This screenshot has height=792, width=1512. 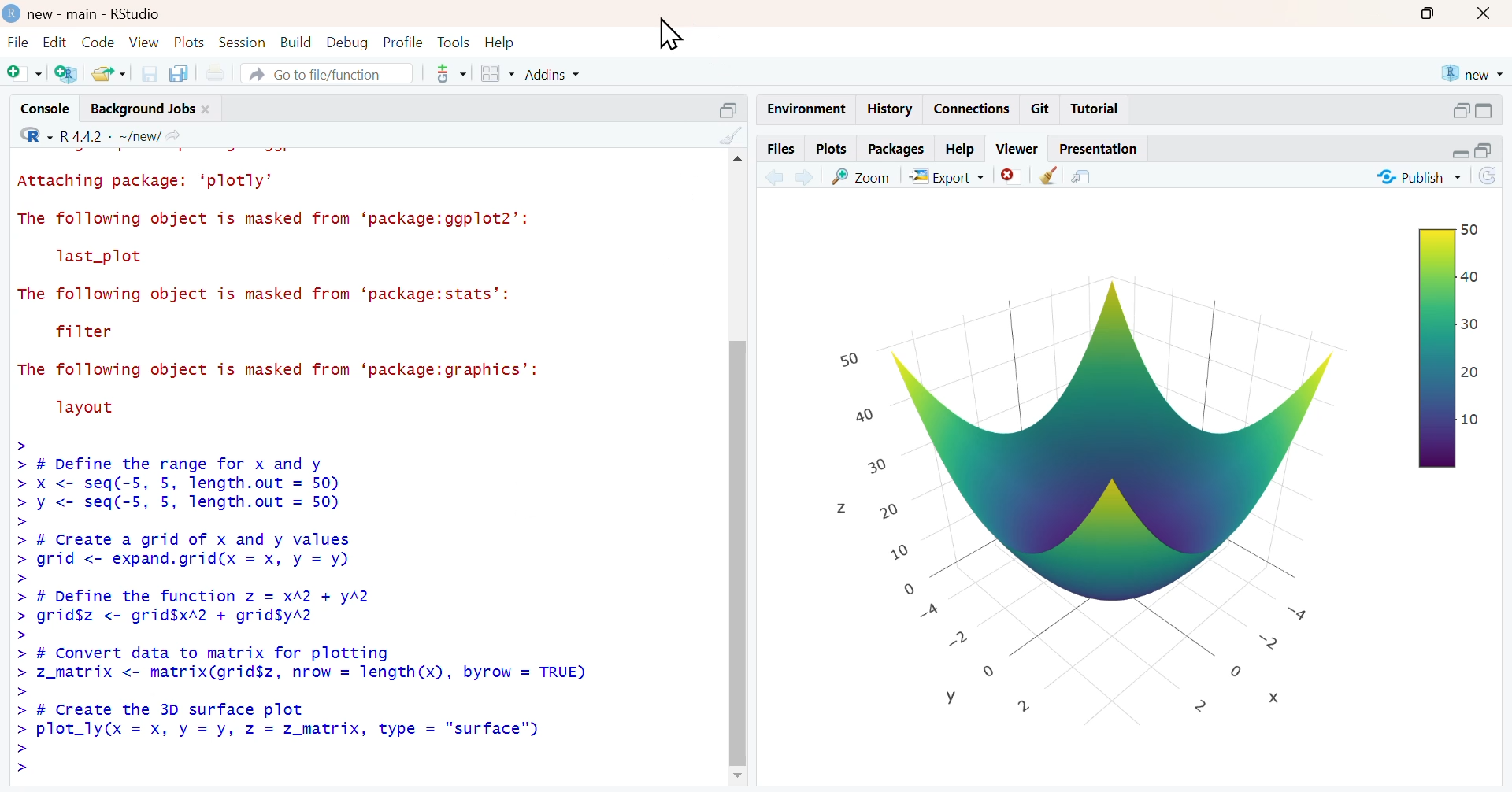 I want to click on scrollbar, so click(x=741, y=472).